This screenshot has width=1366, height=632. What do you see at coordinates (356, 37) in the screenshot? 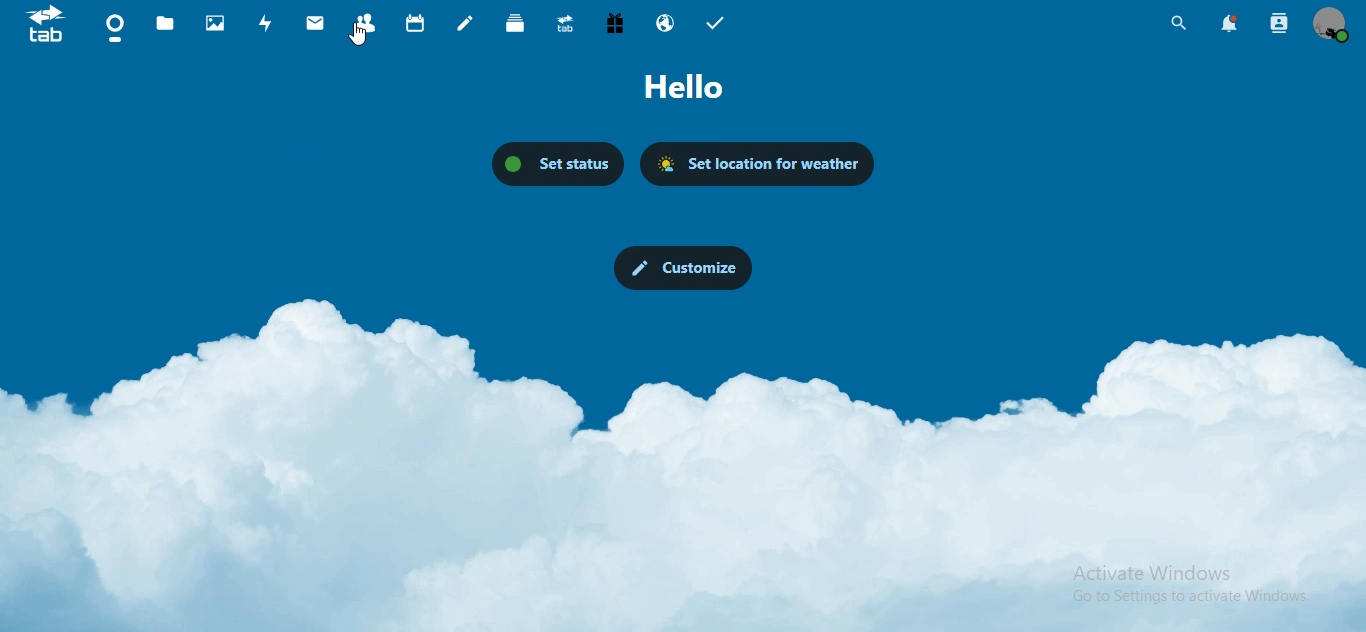
I see `cursor` at bounding box center [356, 37].